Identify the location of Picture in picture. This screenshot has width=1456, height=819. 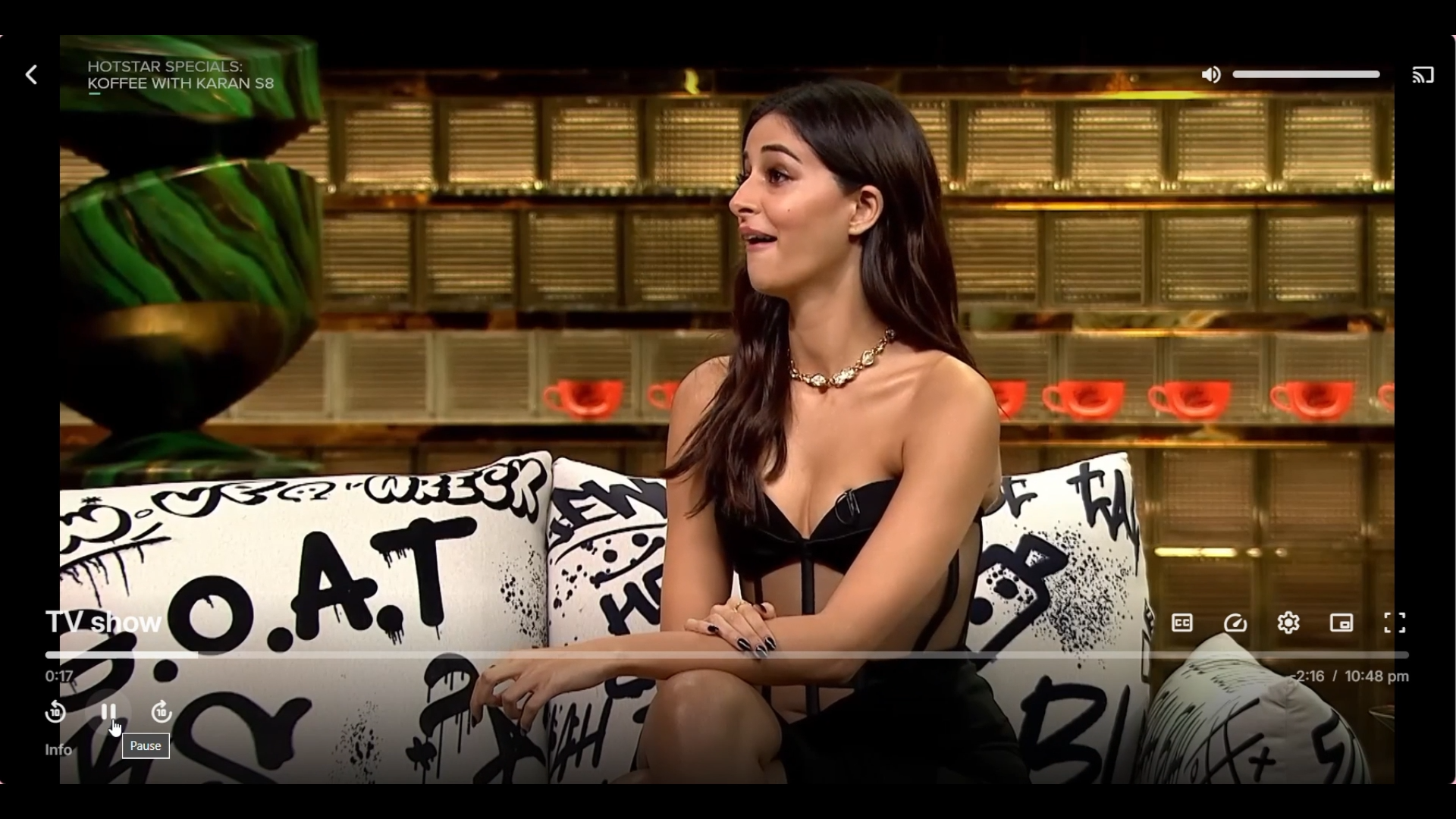
(1341, 623).